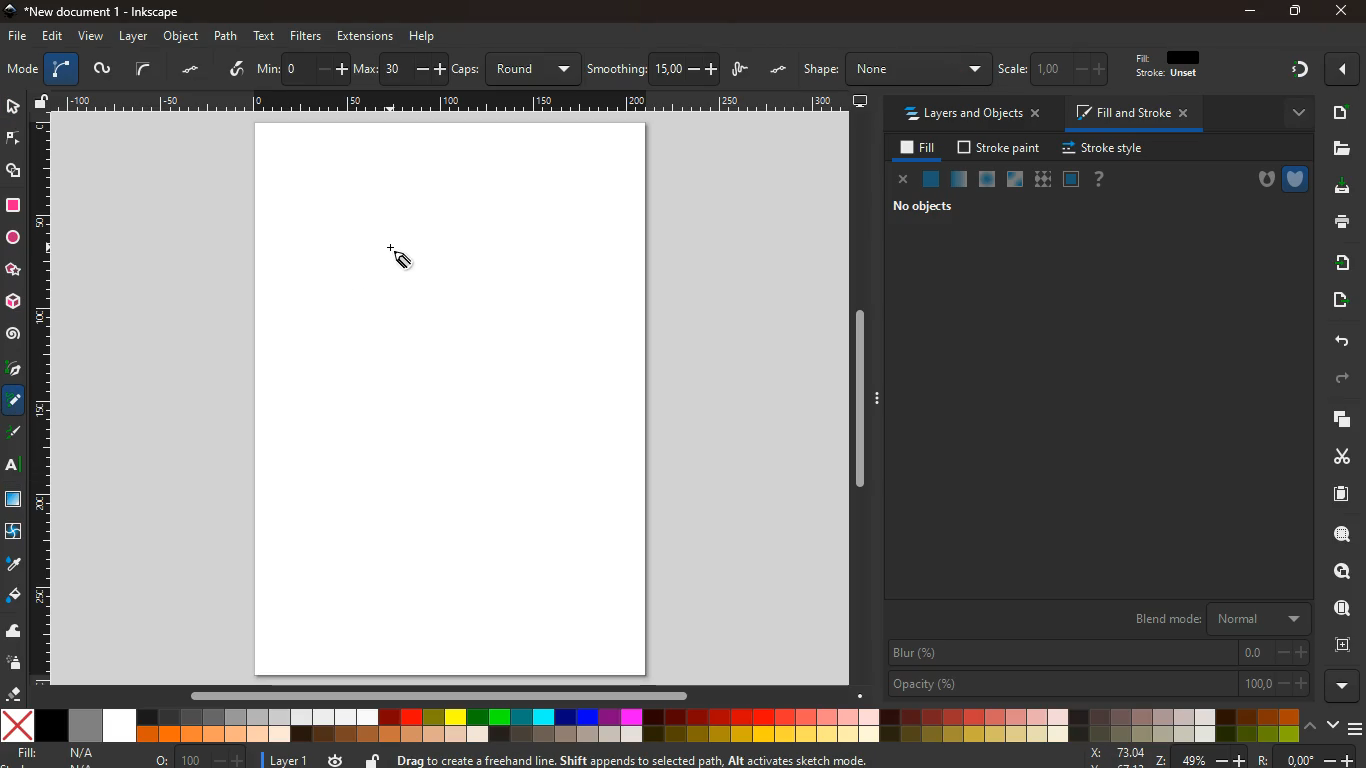  Describe the element at coordinates (12, 105) in the screenshot. I see `select` at that location.